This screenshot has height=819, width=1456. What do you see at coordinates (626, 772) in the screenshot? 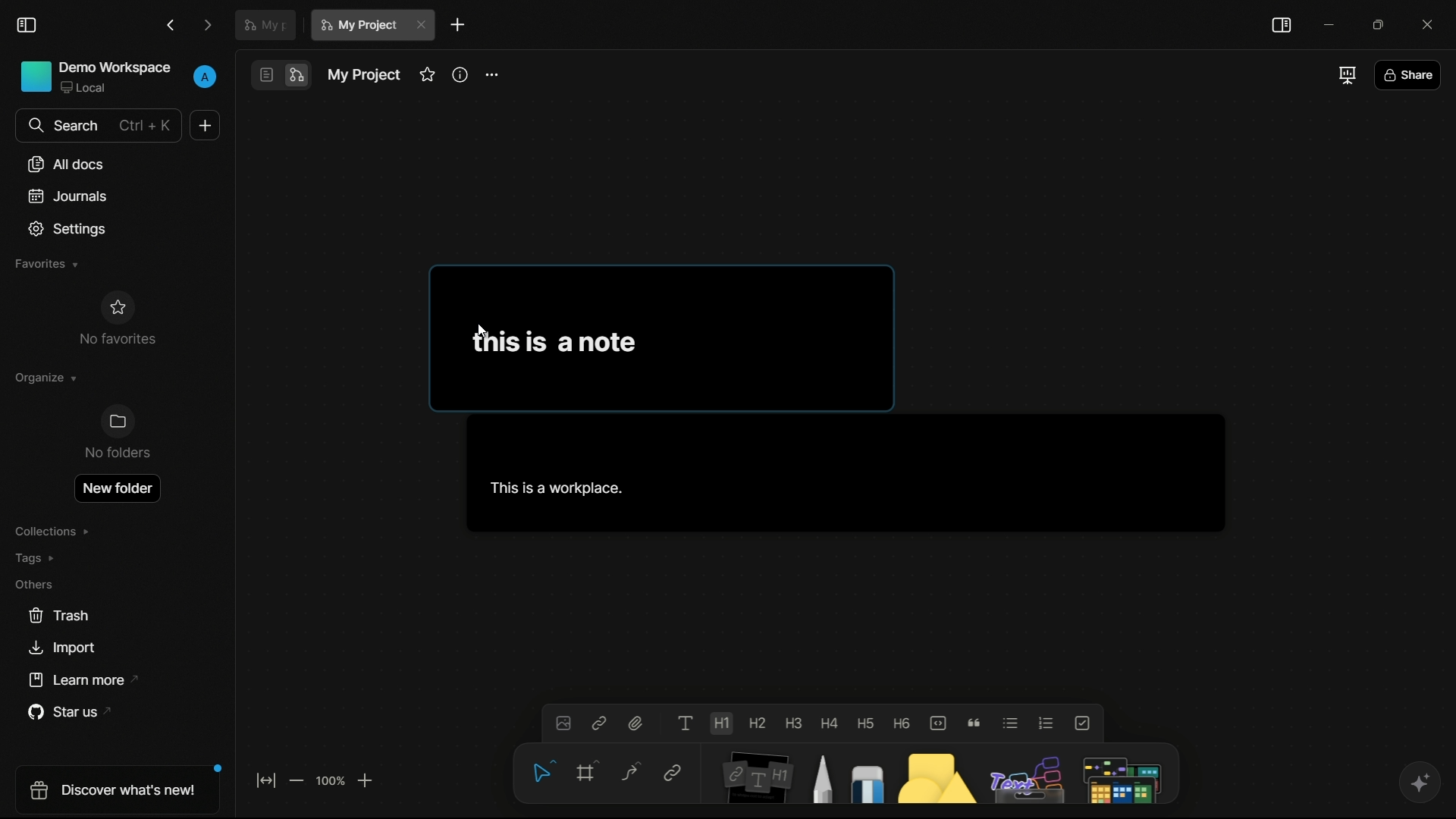
I see `connector` at bounding box center [626, 772].